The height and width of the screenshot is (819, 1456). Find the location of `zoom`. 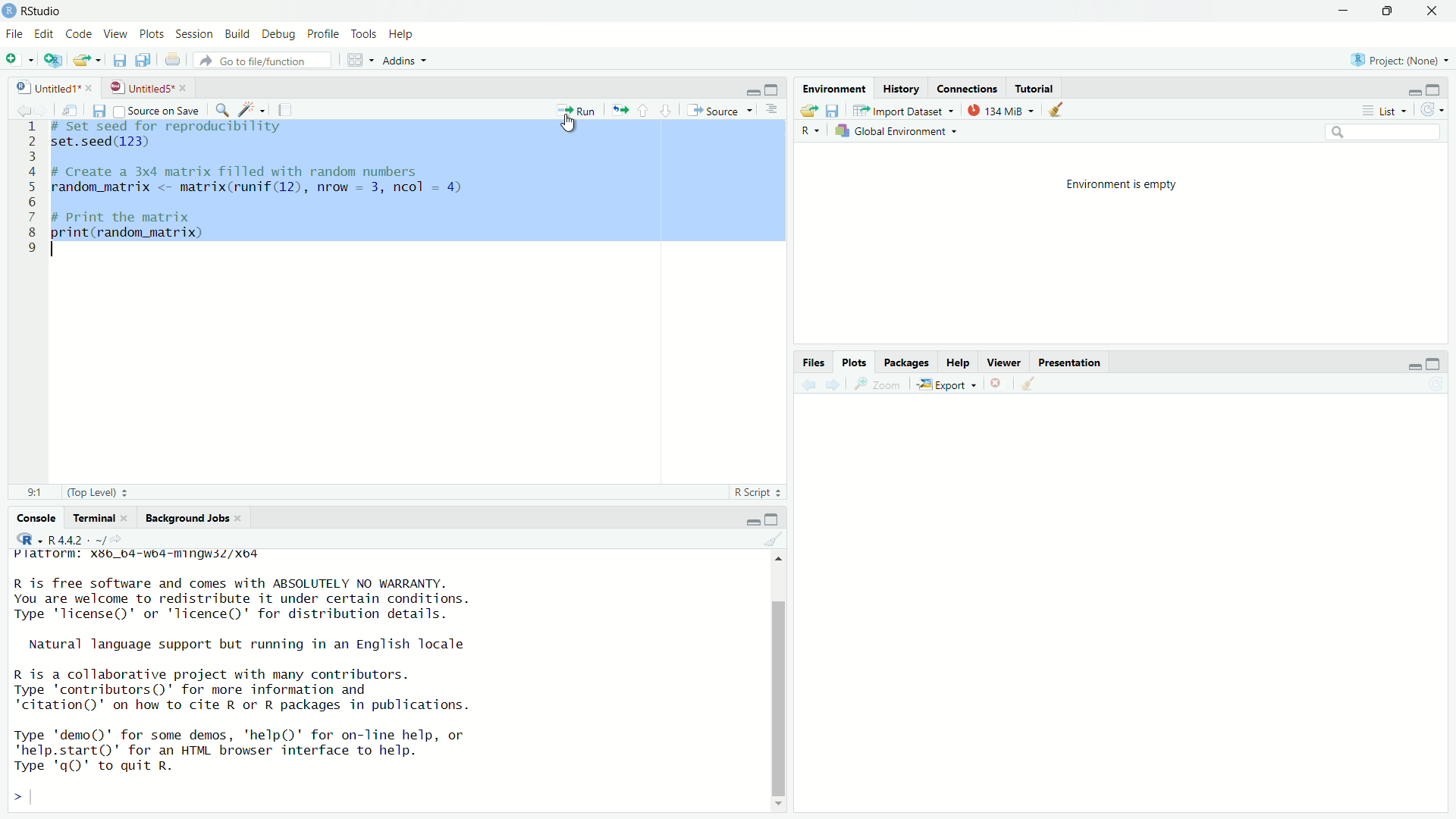

zoom is located at coordinates (876, 387).